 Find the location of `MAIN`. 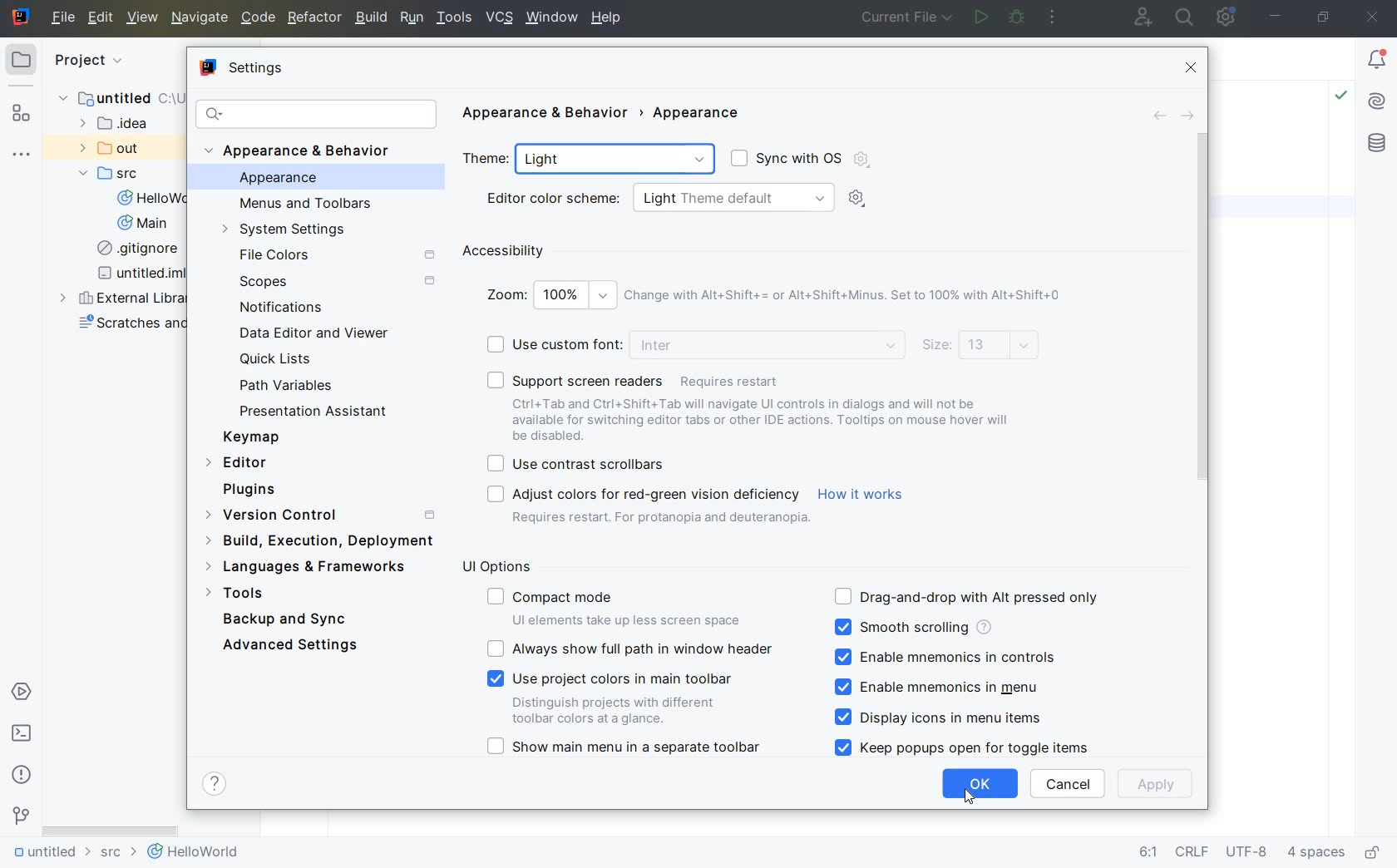

MAIN is located at coordinates (145, 224).